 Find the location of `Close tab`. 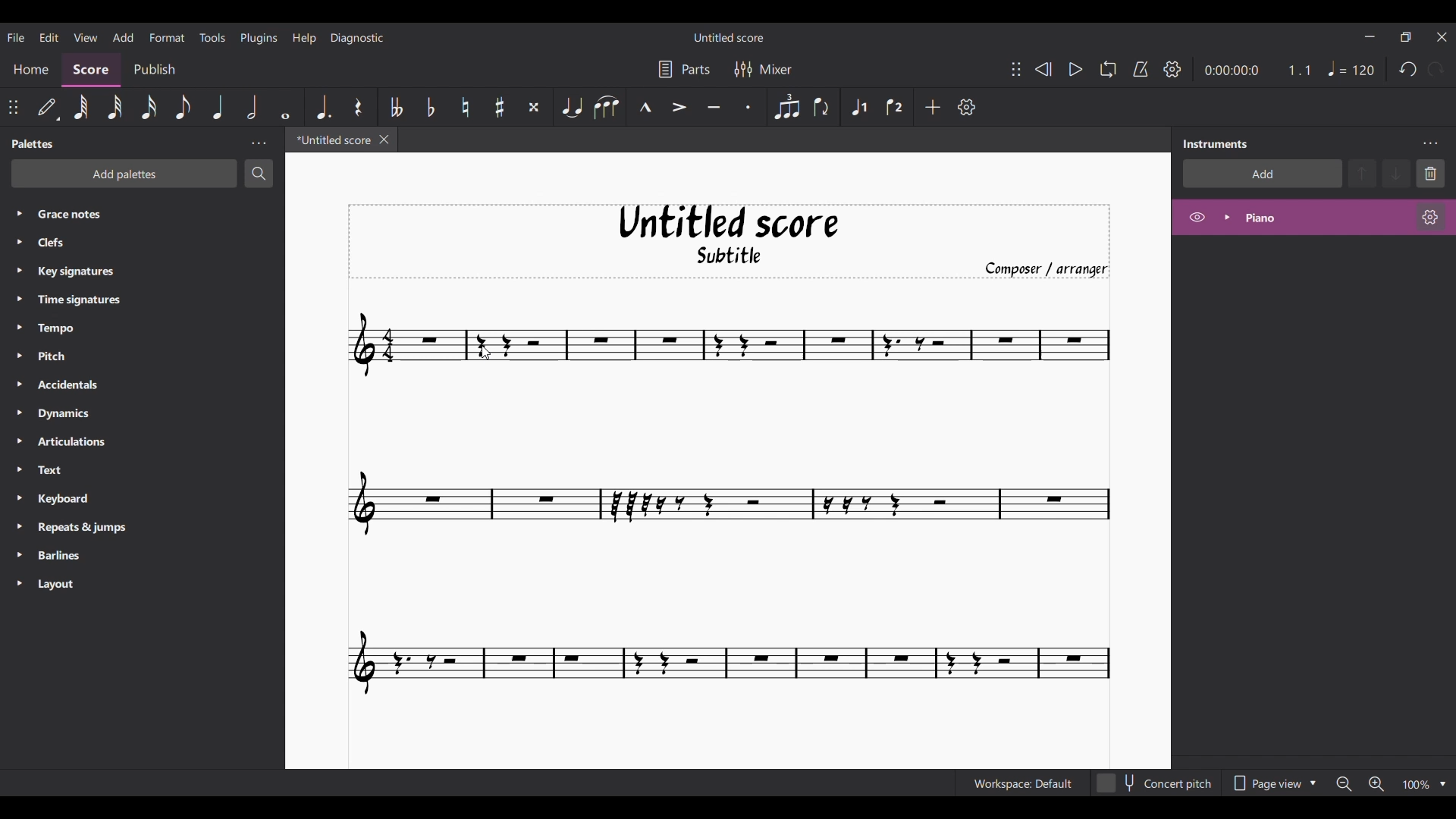

Close tab is located at coordinates (384, 140).